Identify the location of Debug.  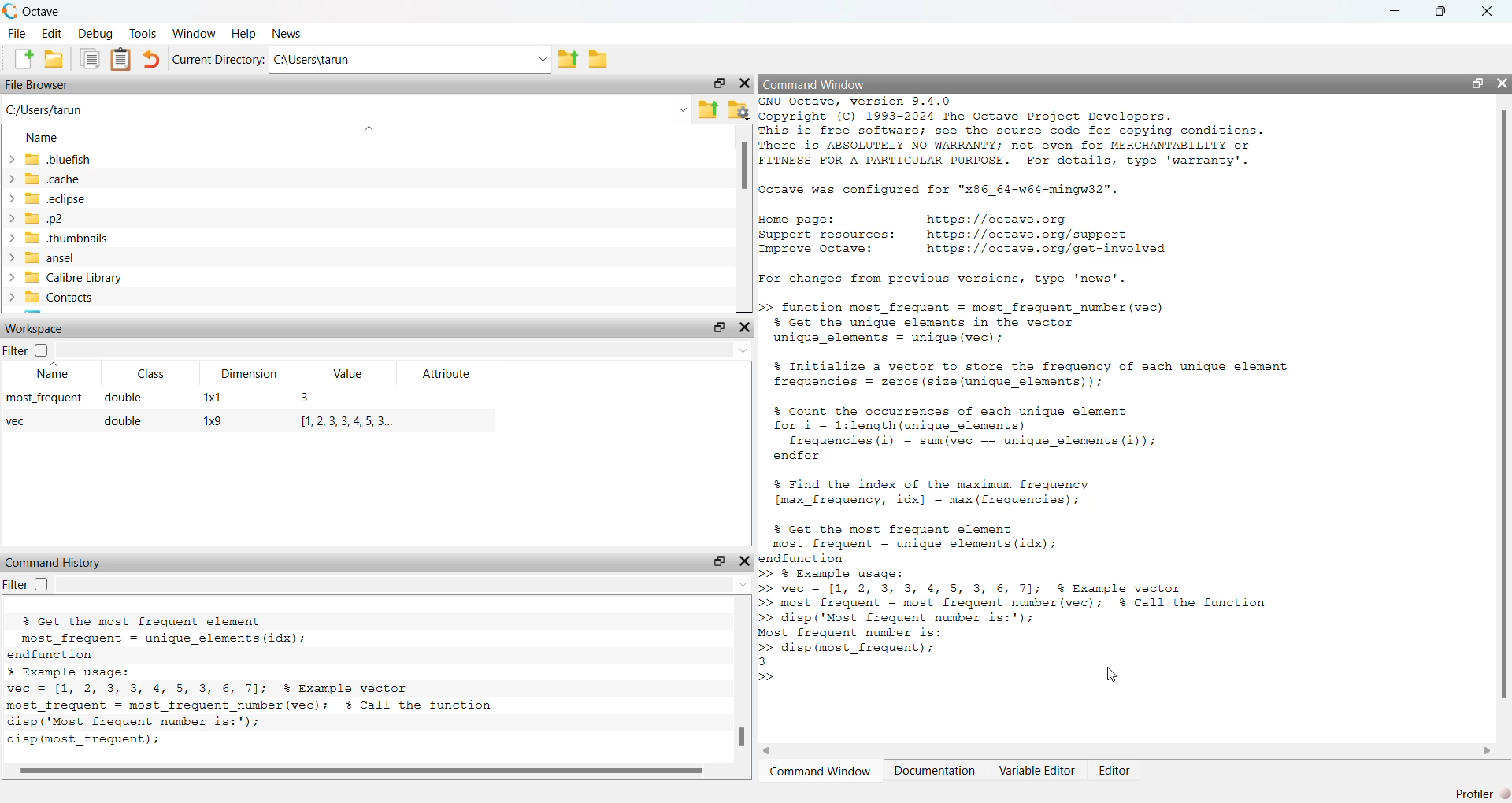
(95, 33).